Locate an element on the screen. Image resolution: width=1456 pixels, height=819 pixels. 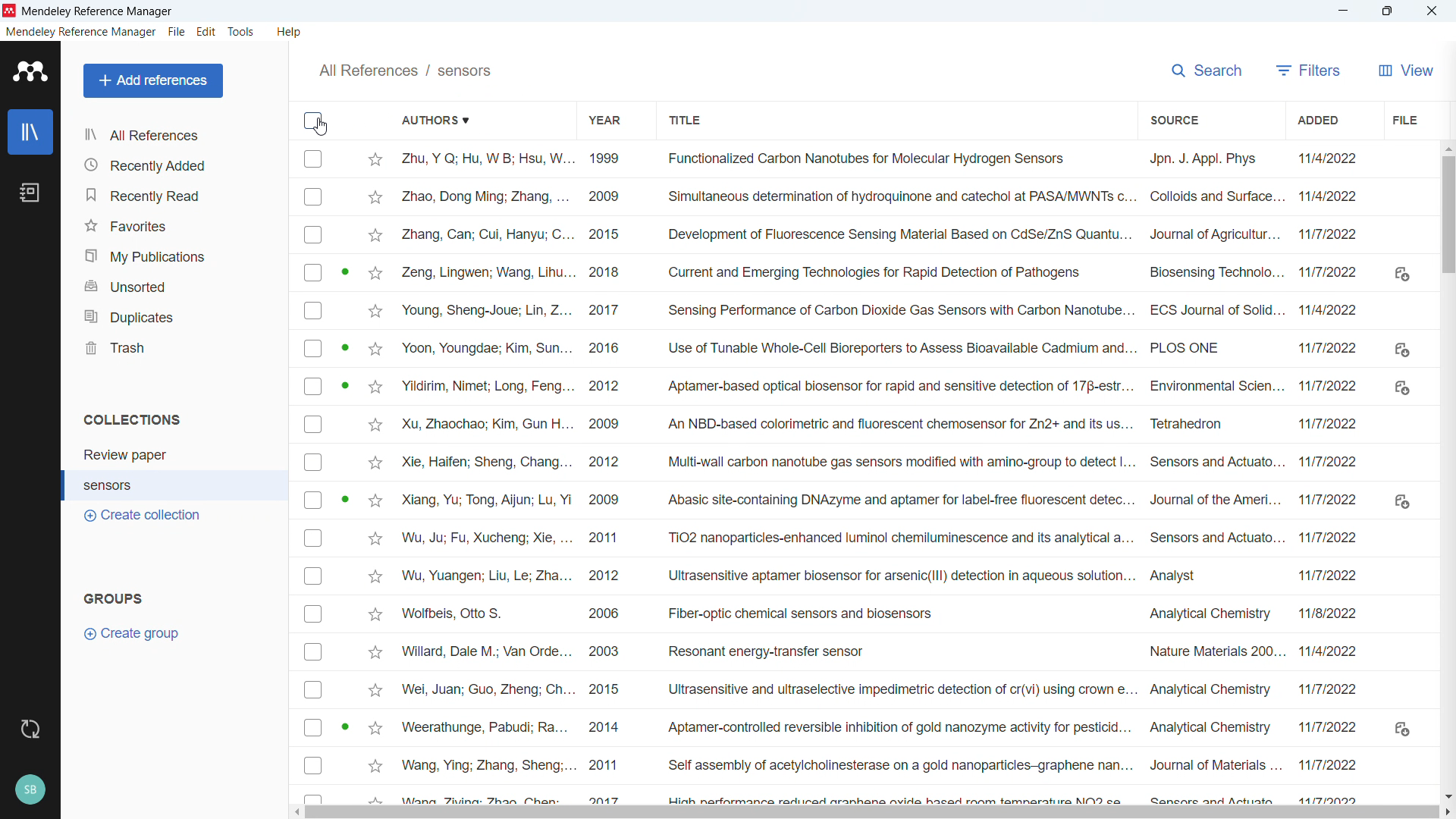
Cursor  is located at coordinates (321, 127).